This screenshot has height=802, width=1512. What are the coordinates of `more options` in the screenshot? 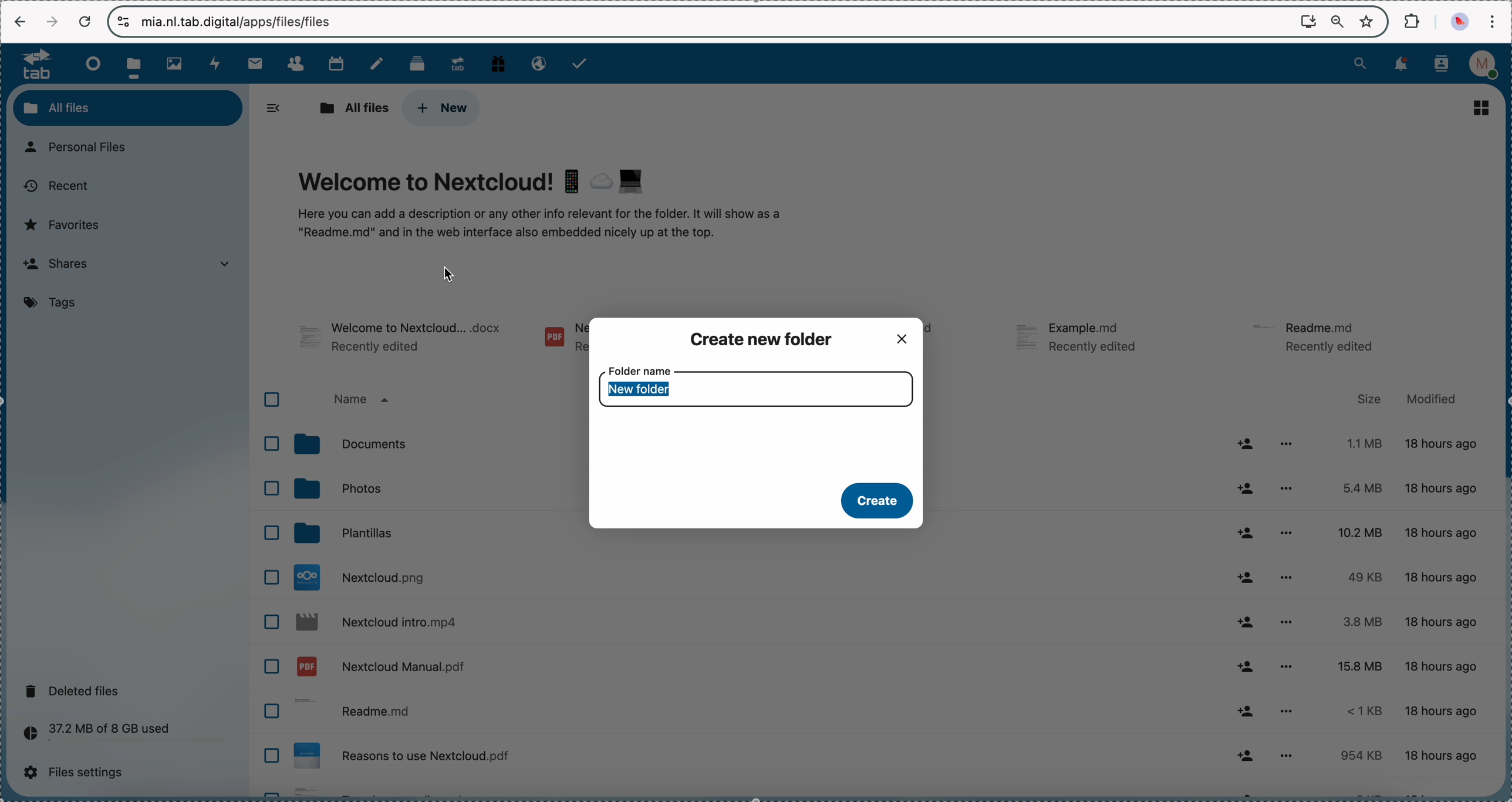 It's located at (1285, 621).